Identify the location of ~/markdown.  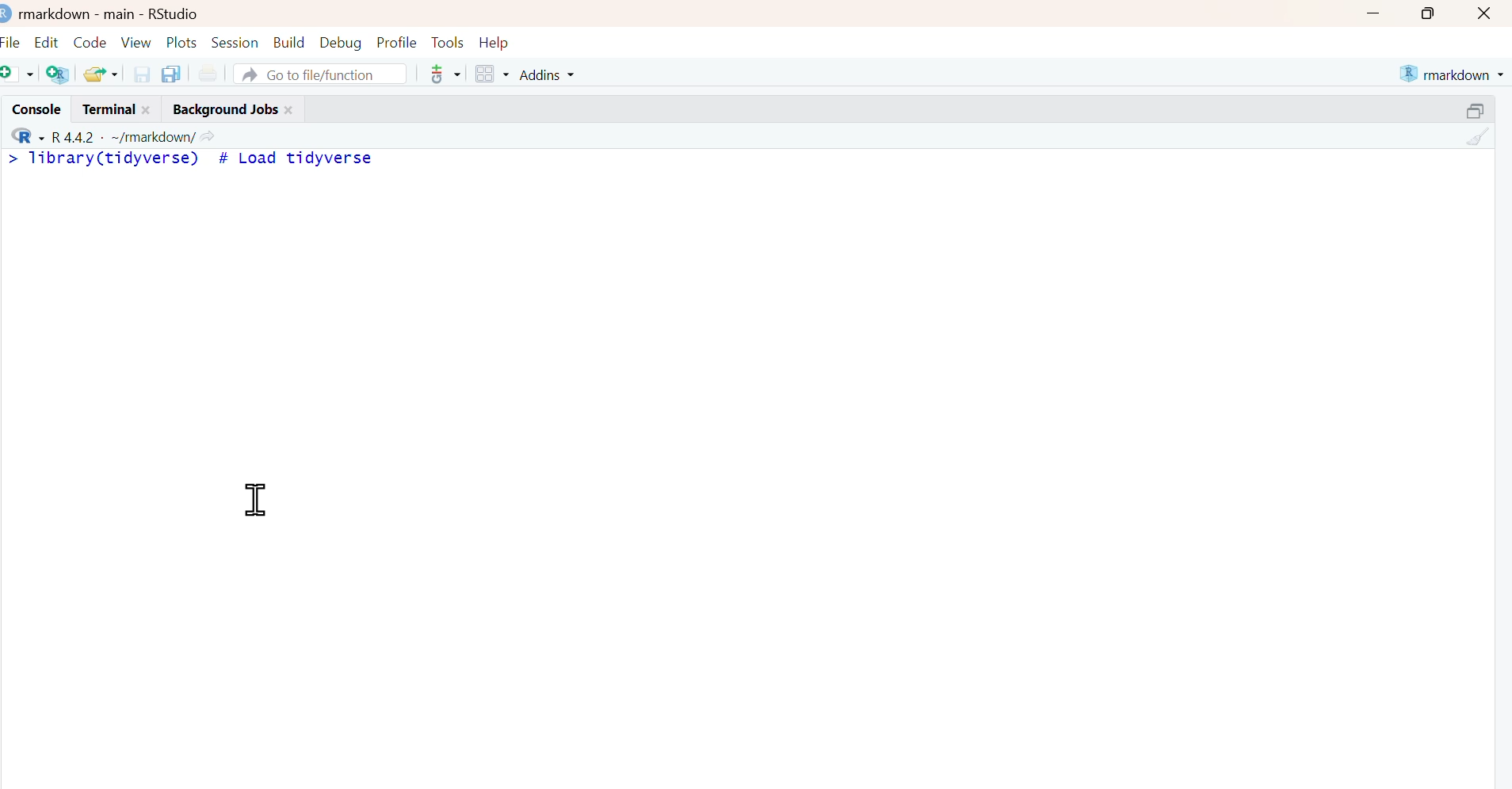
(151, 135).